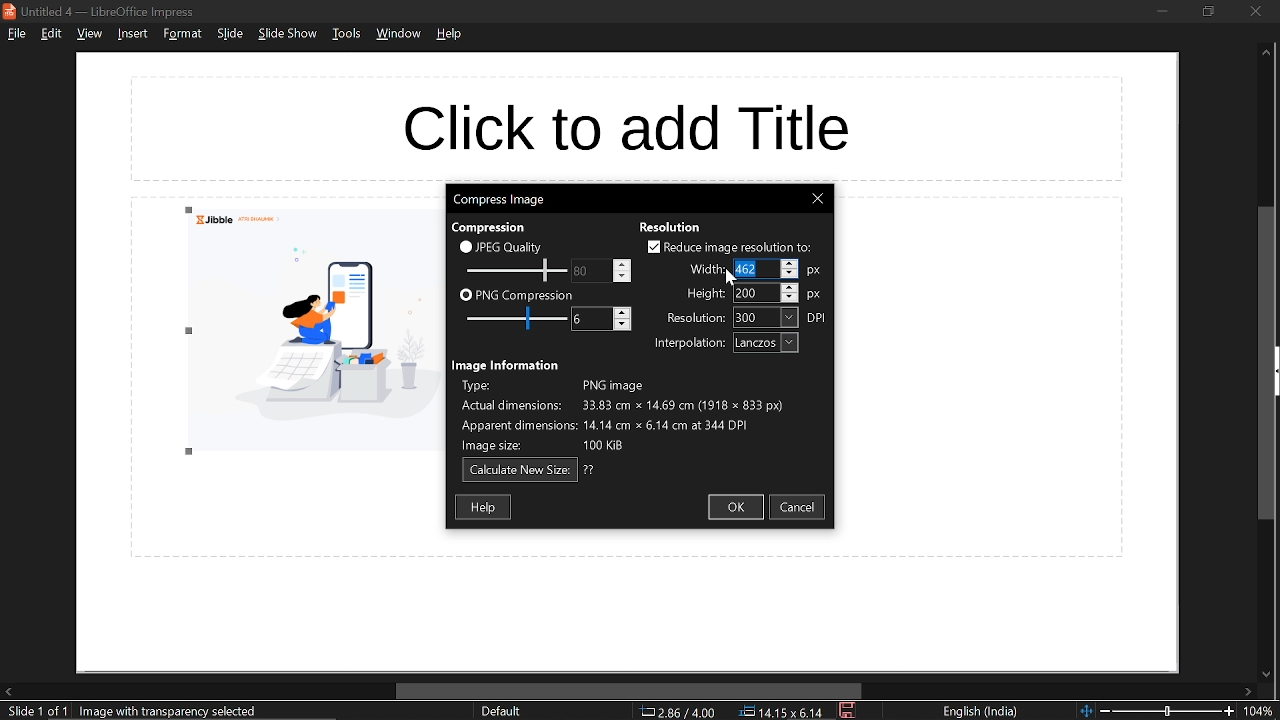 The height and width of the screenshot is (720, 1280). What do you see at coordinates (781, 712) in the screenshot?
I see `position` at bounding box center [781, 712].